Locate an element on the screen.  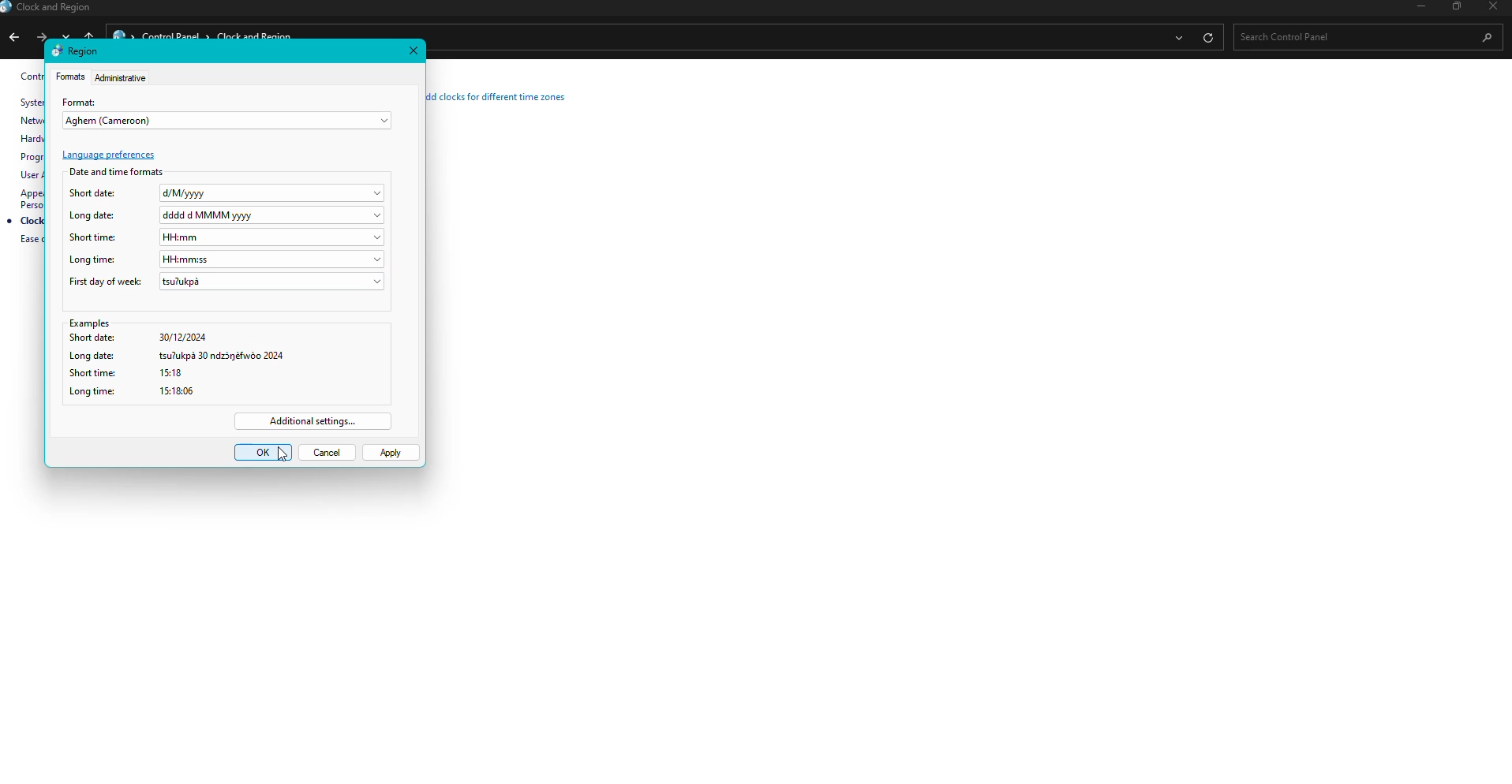
Clock and region is located at coordinates (51, 9).